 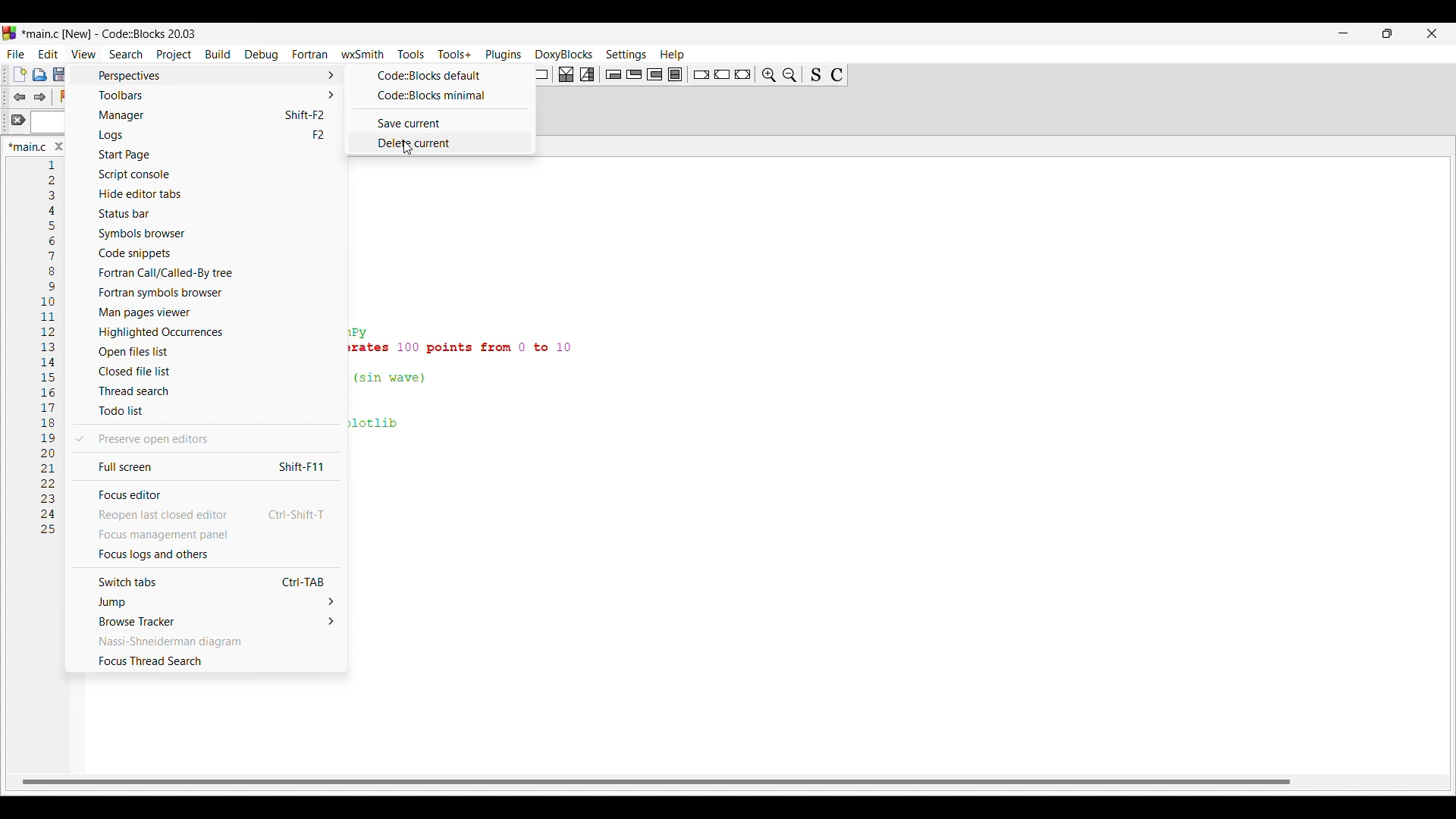 I want to click on File menu, so click(x=15, y=55).